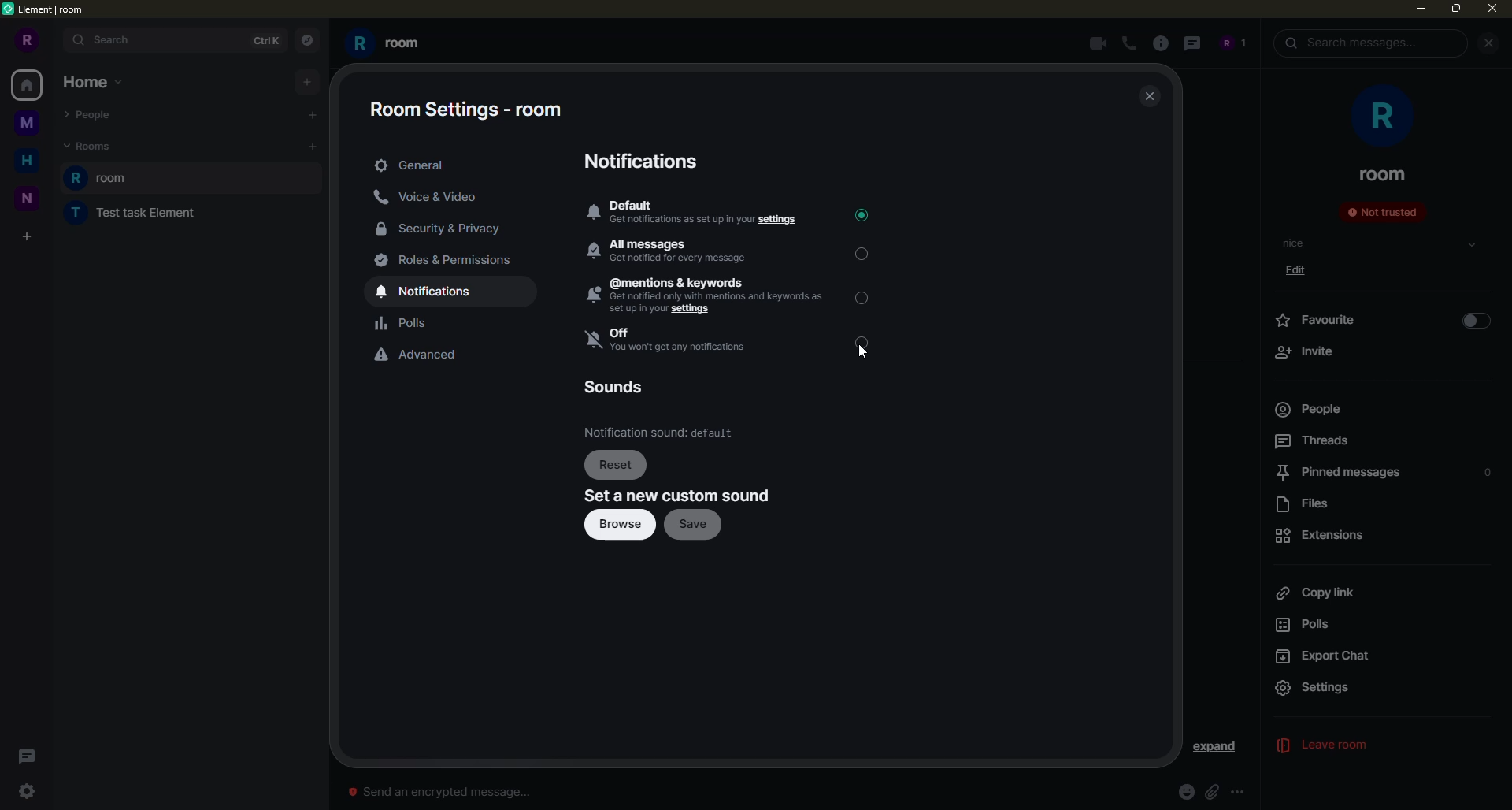 This screenshot has width=1512, height=810. I want to click on settings, so click(30, 791).